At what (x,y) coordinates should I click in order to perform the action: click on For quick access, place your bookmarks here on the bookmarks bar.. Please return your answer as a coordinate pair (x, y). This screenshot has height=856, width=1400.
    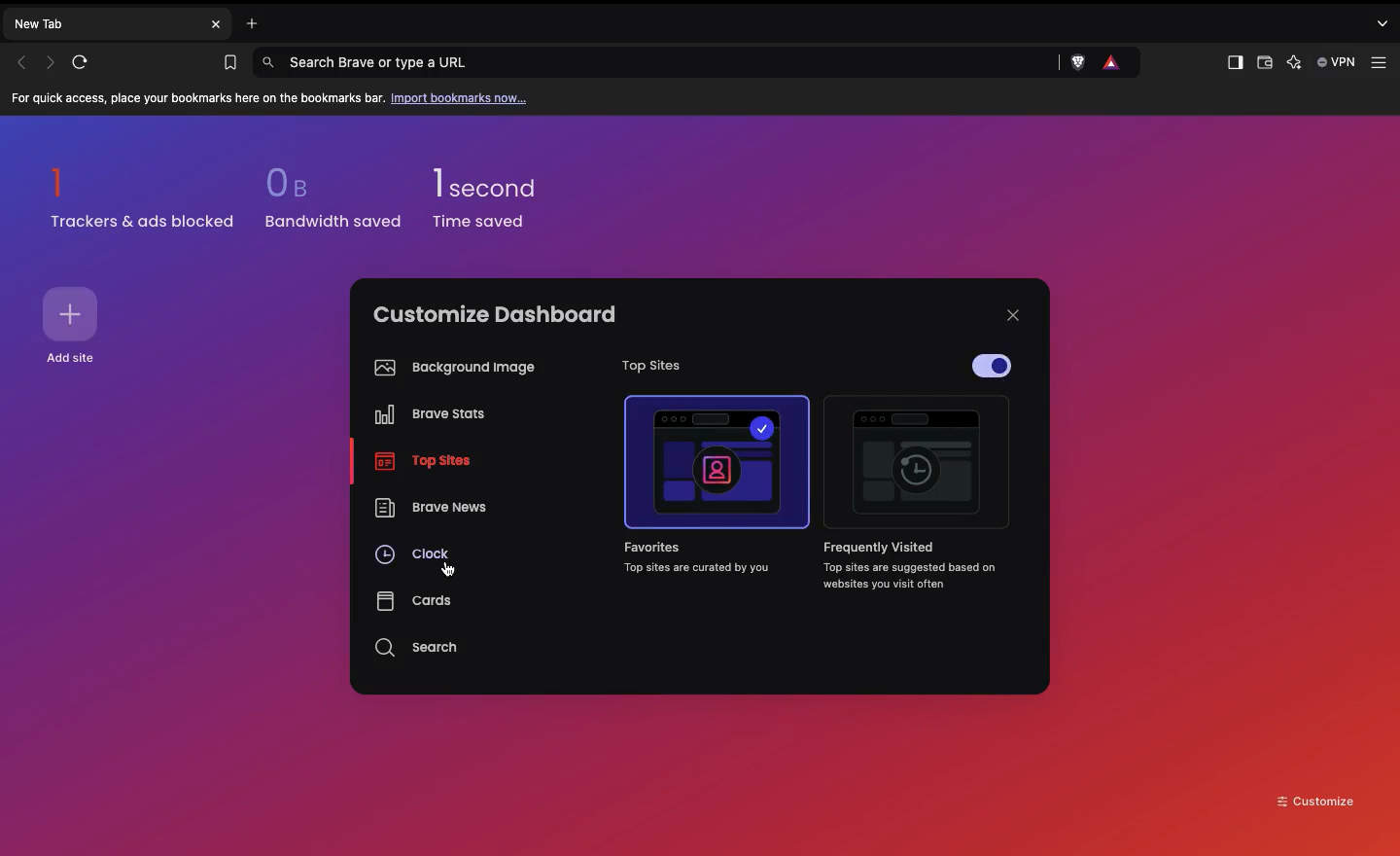
    Looking at the image, I should click on (198, 99).